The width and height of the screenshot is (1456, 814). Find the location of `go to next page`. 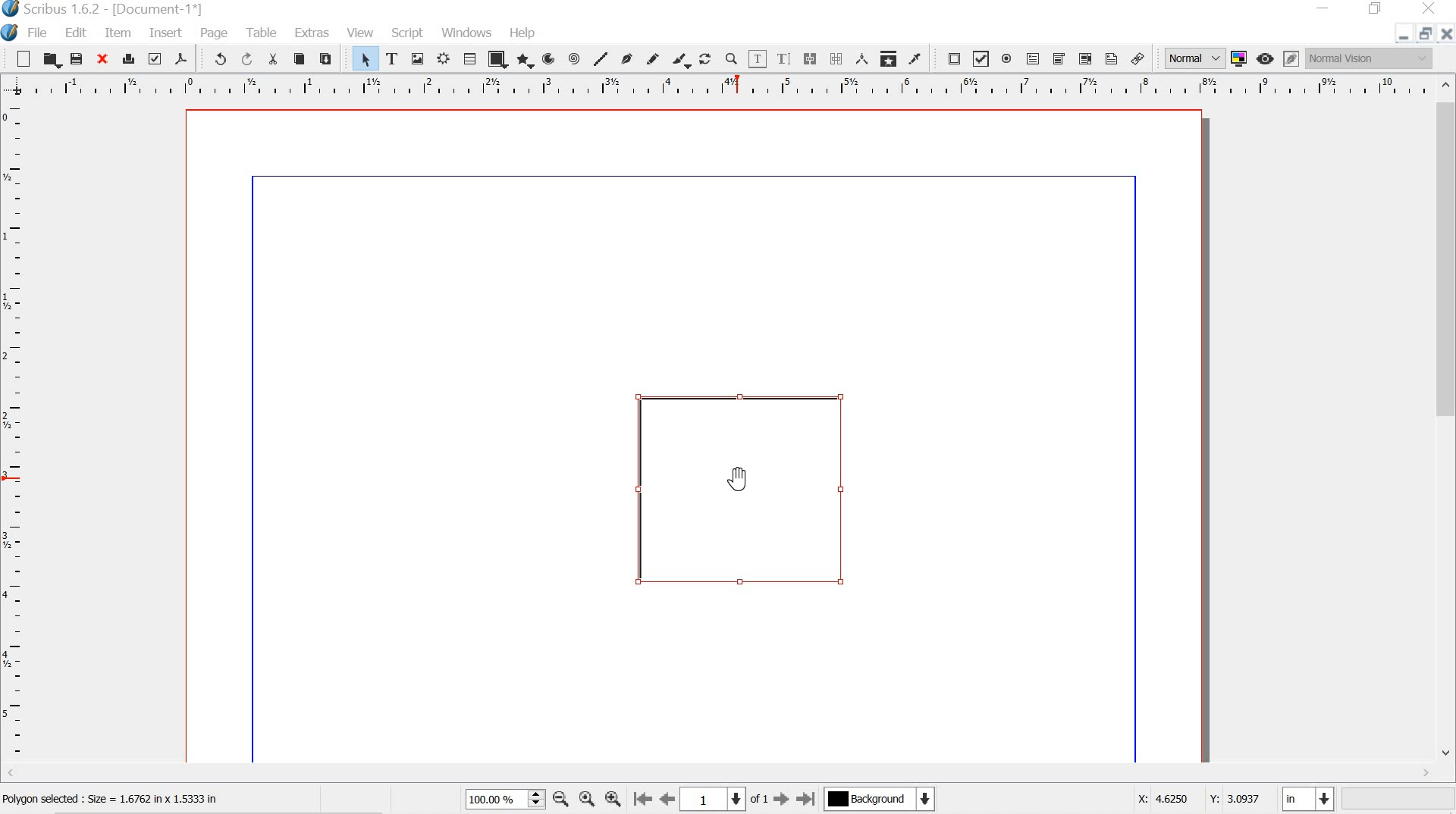

go to next page is located at coordinates (781, 802).